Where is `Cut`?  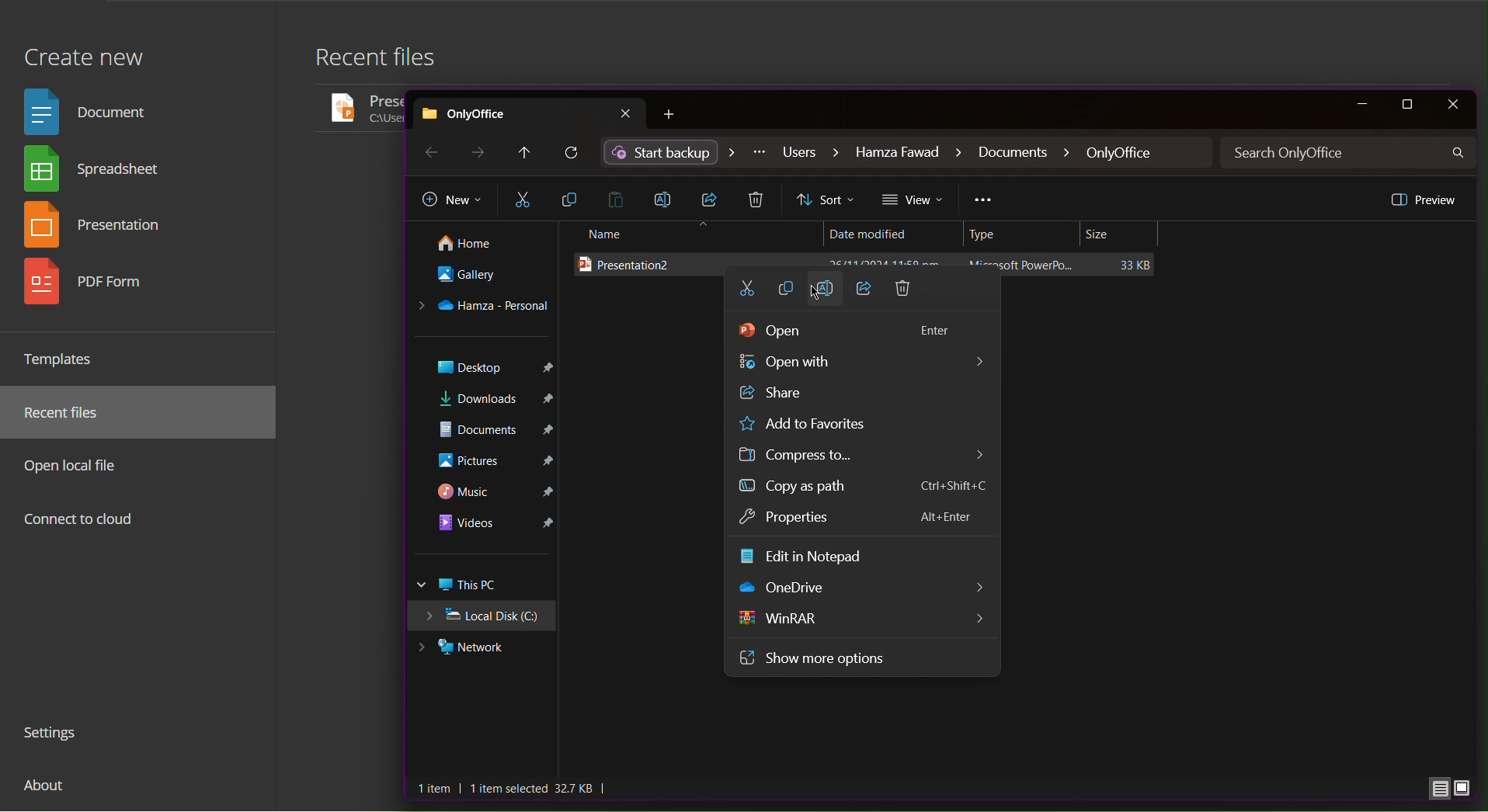
Cut is located at coordinates (523, 200).